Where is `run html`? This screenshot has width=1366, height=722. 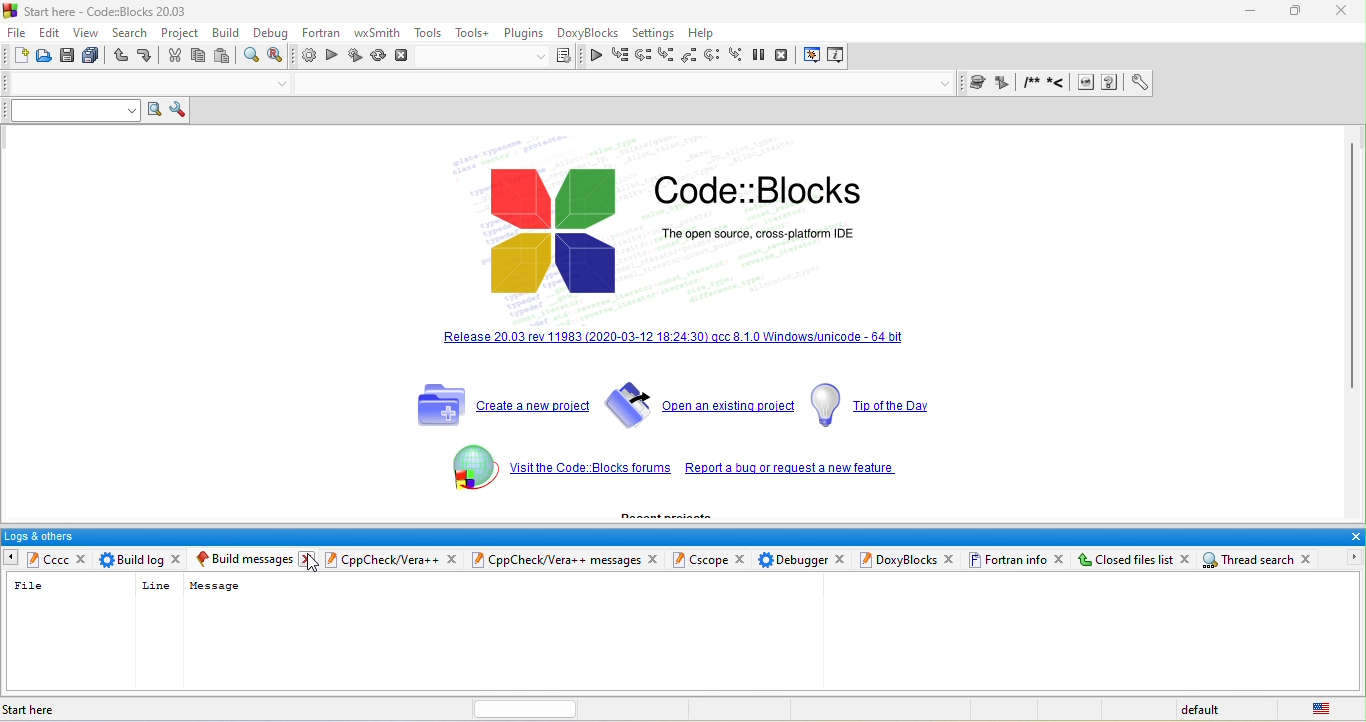 run html is located at coordinates (1087, 84).